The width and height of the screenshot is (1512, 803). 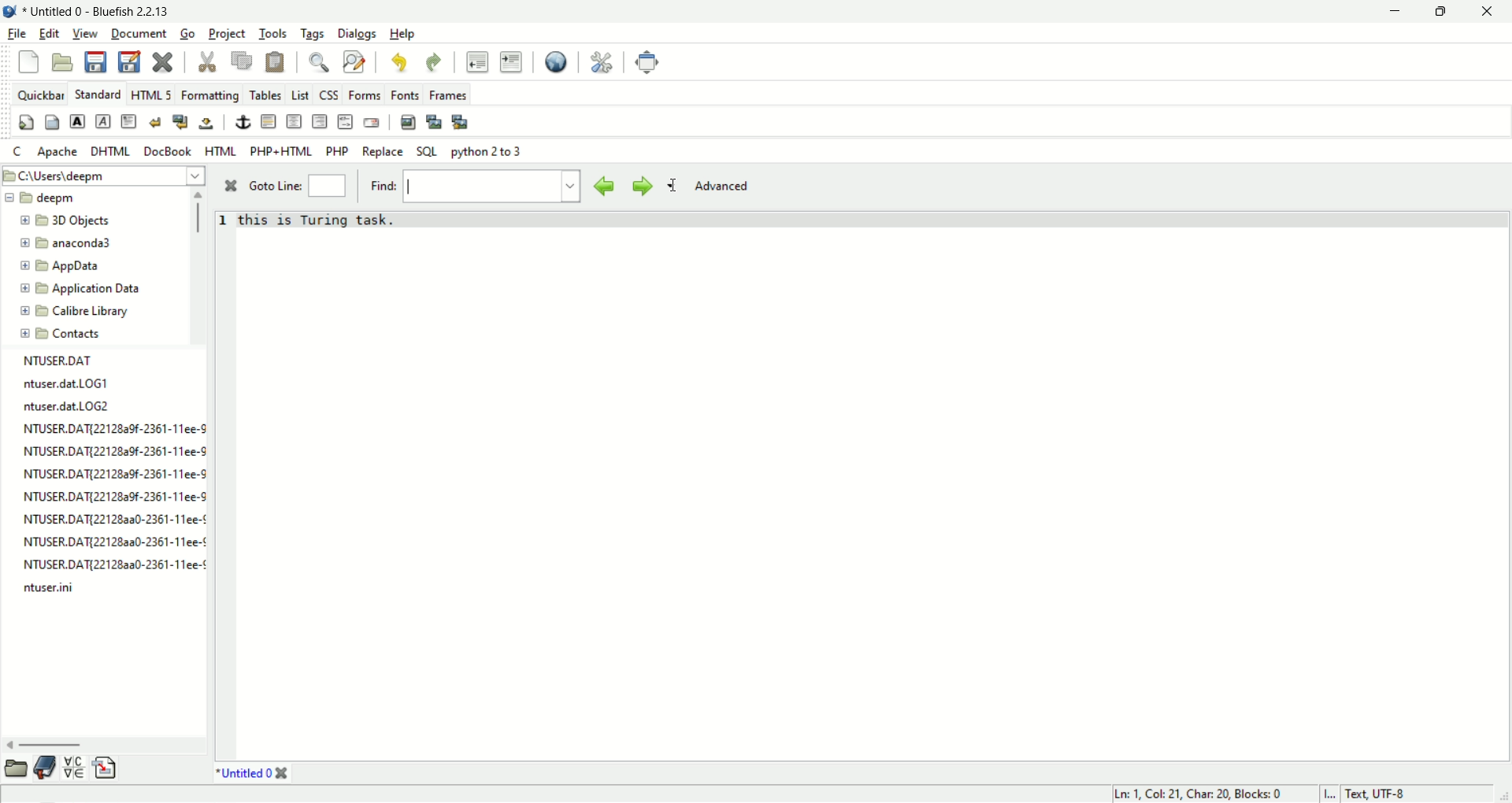 I want to click on Contacts, so click(x=74, y=332).